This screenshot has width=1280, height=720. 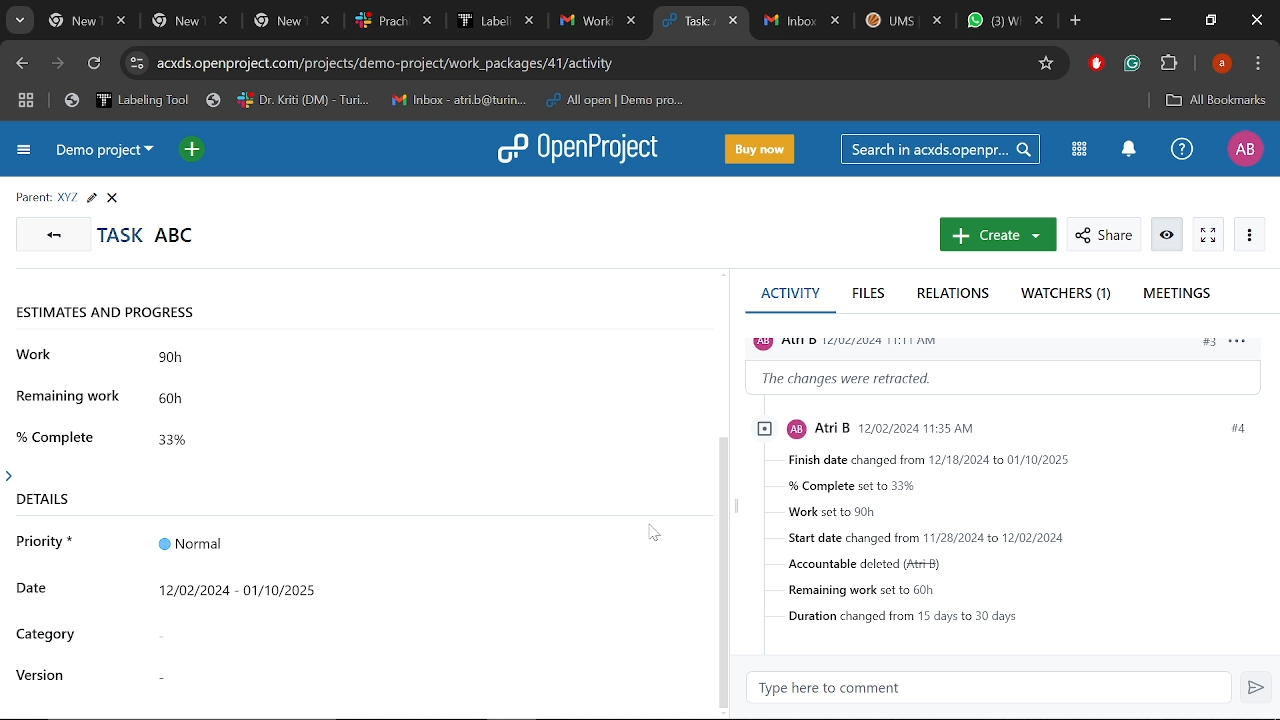 What do you see at coordinates (762, 150) in the screenshot?
I see `Buy now` at bounding box center [762, 150].